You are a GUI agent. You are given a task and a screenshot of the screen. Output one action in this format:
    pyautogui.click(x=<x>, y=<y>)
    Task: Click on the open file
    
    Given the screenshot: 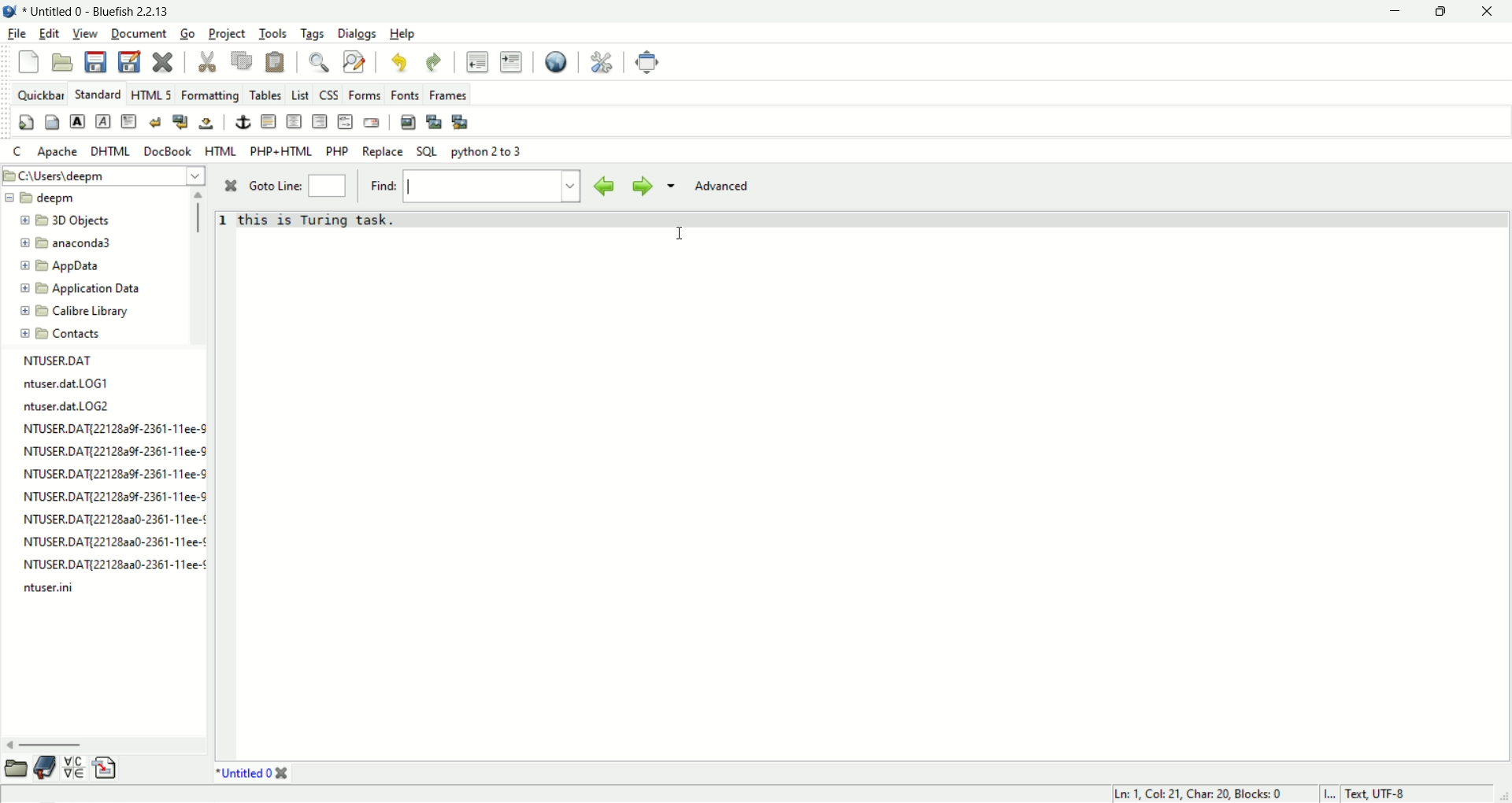 What is the action you would take?
    pyautogui.click(x=63, y=63)
    